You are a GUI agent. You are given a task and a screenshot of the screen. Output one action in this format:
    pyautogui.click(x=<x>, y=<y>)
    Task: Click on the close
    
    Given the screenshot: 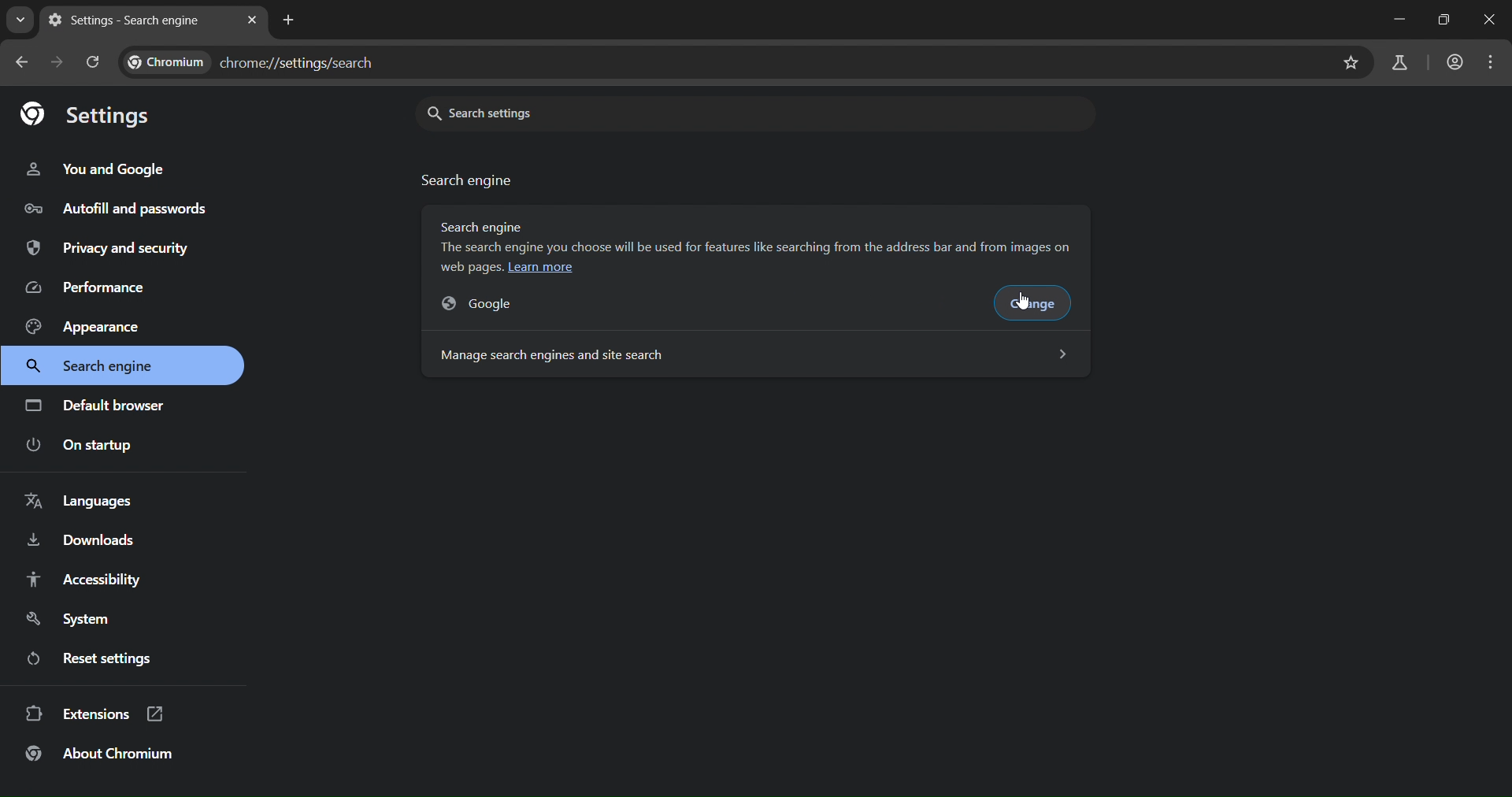 What is the action you would take?
    pyautogui.click(x=1492, y=19)
    